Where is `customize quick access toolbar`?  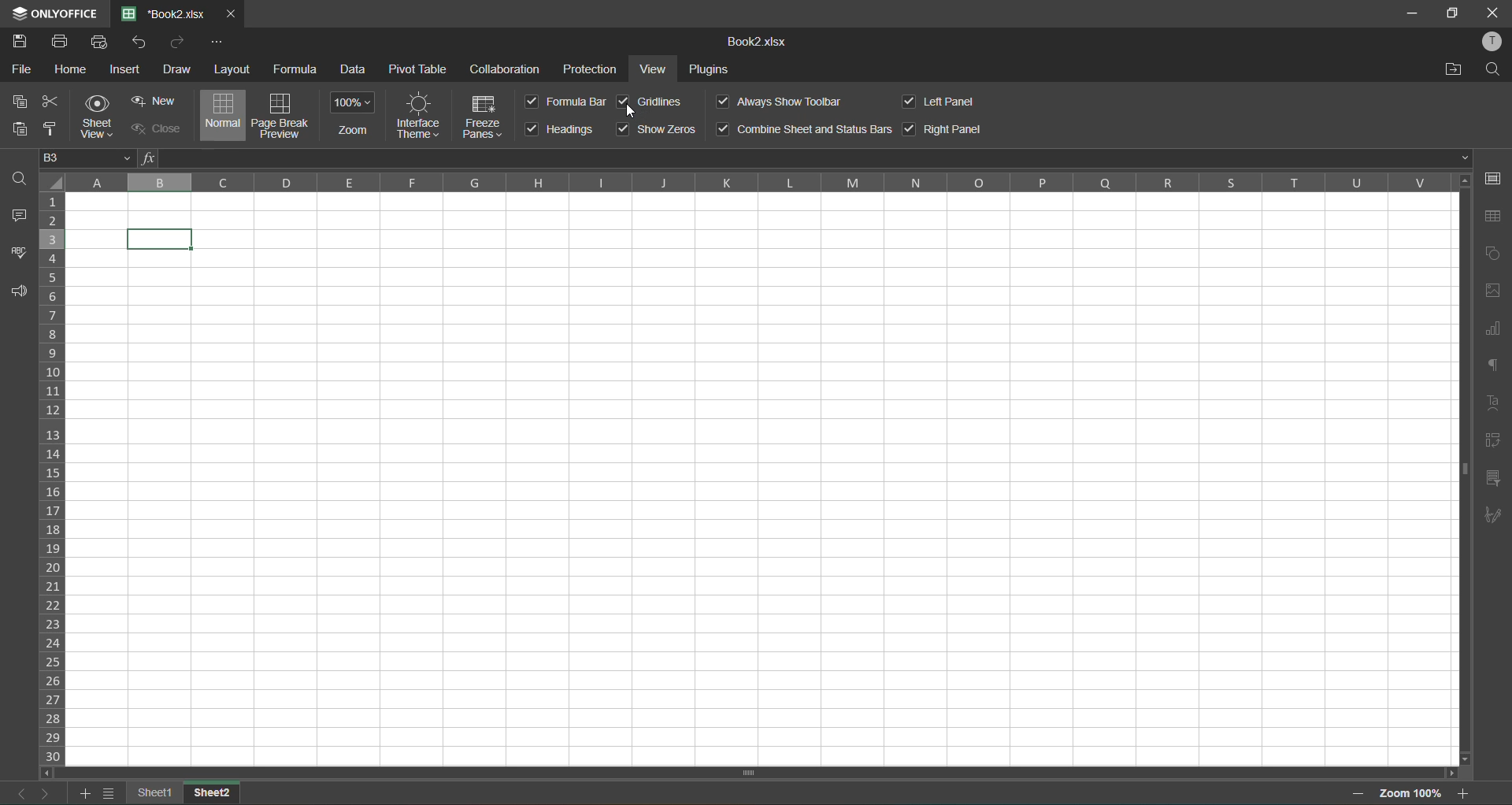
customize quick access toolbar is located at coordinates (217, 42).